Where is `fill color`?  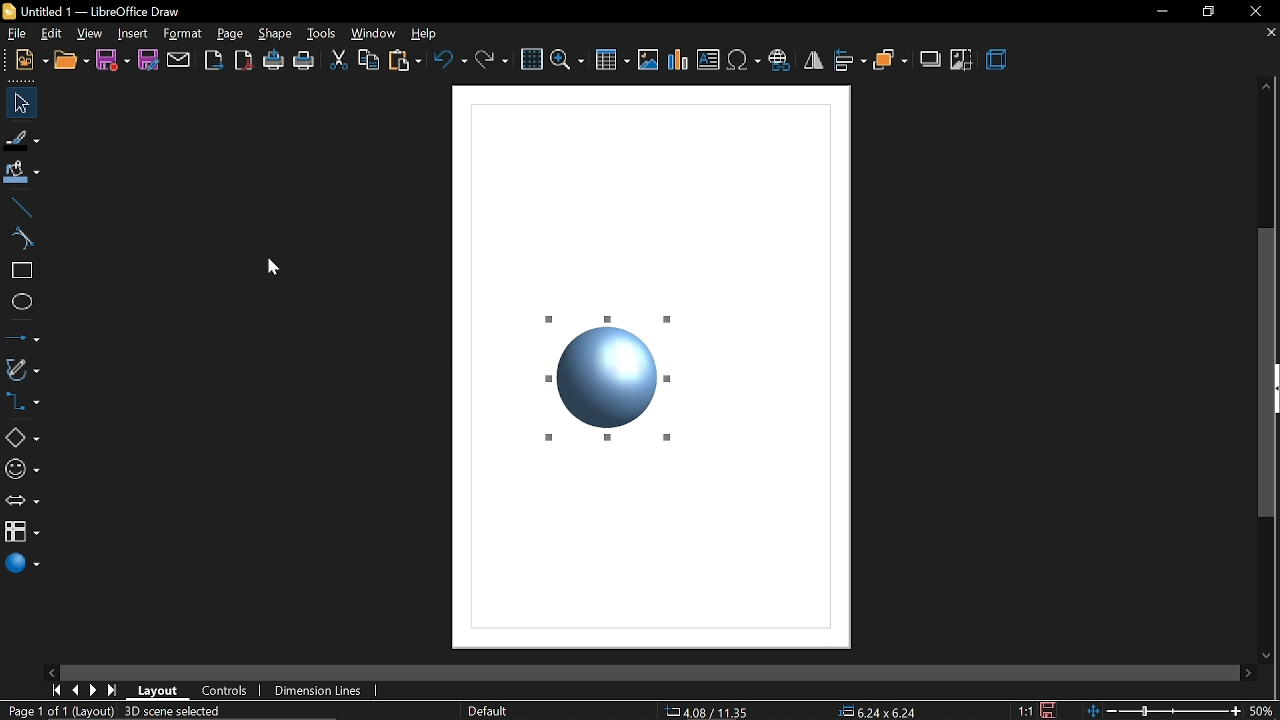
fill color is located at coordinates (24, 173).